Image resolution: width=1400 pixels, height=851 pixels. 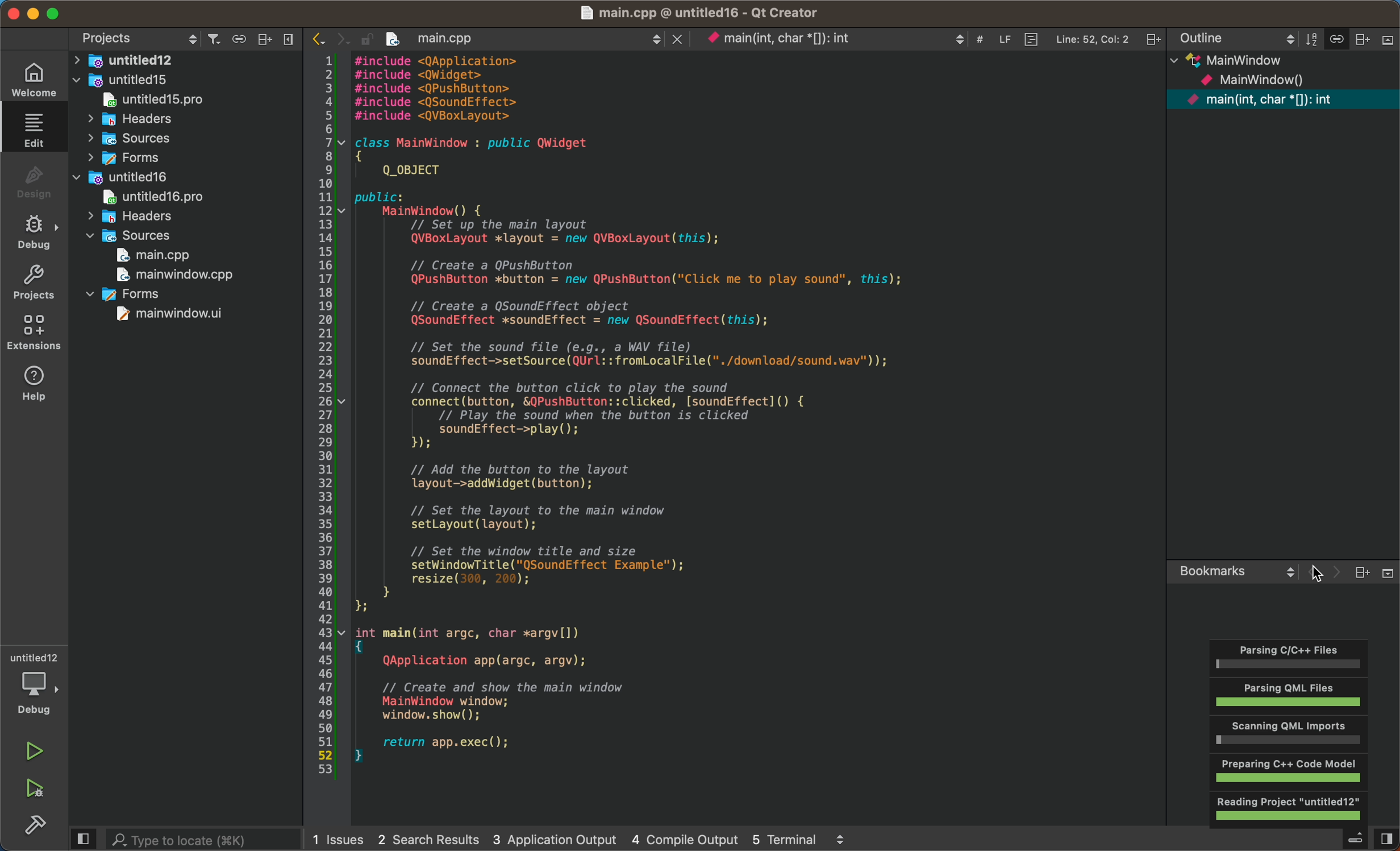 I want to click on logs, so click(x=595, y=838).